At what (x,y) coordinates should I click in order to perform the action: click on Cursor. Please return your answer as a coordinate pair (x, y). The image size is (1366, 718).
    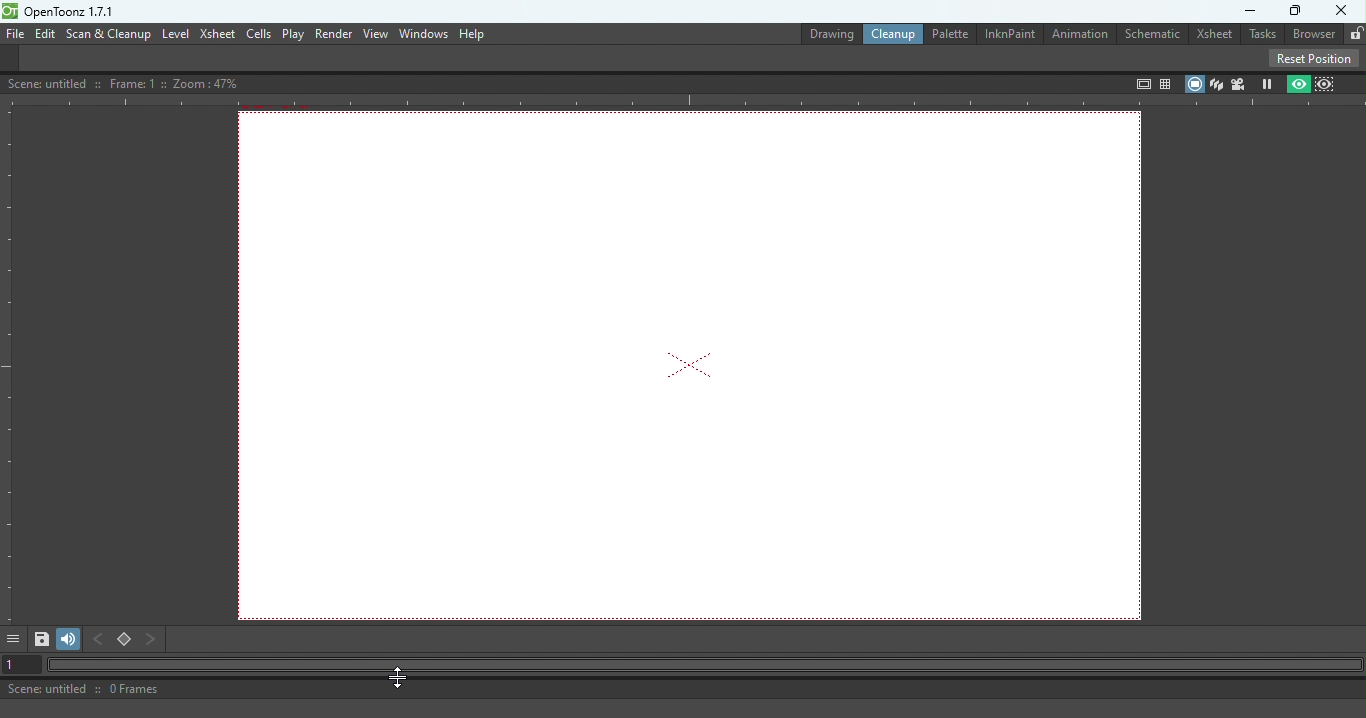
    Looking at the image, I should click on (400, 677).